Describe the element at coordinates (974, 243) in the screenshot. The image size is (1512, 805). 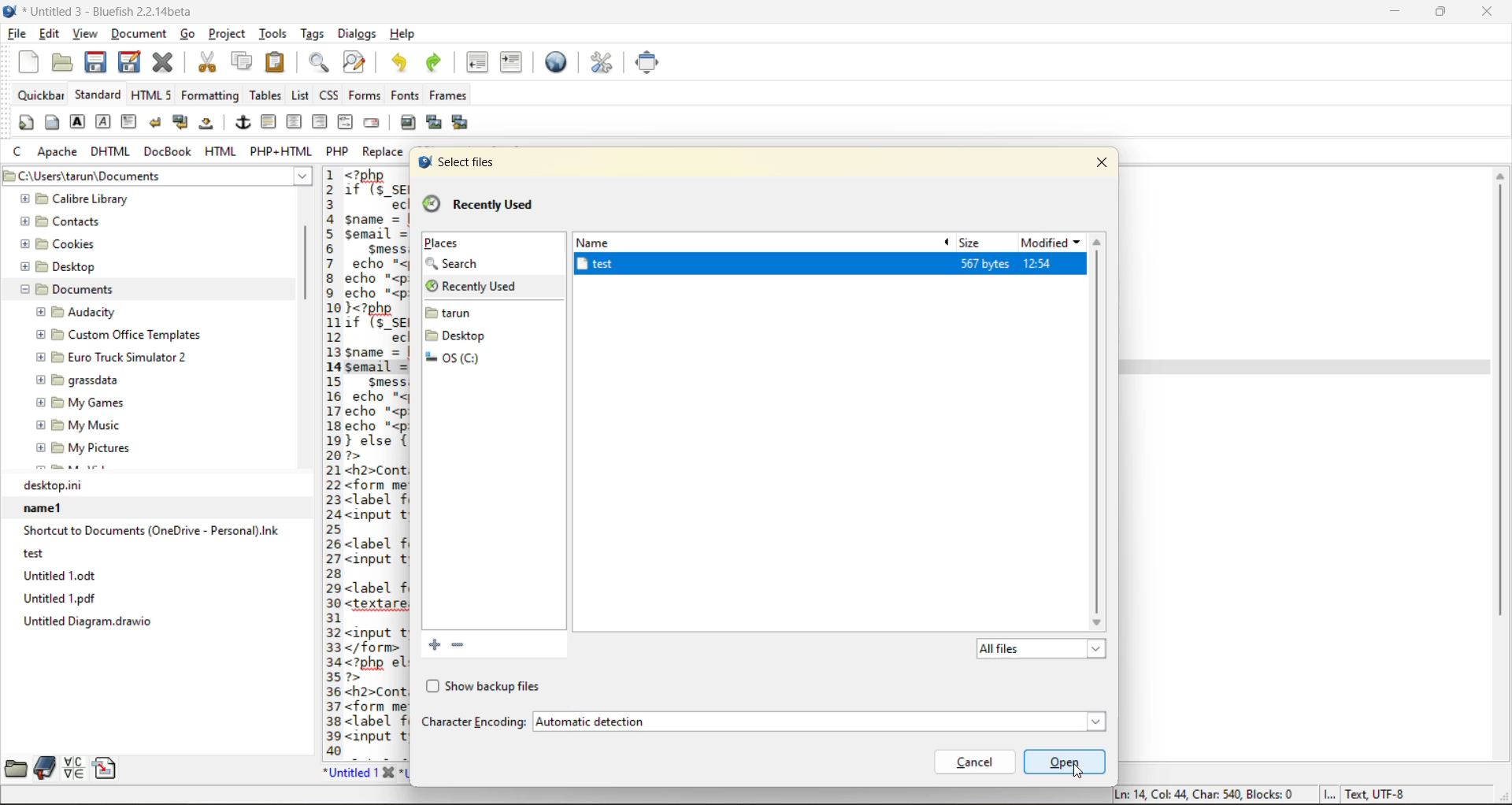
I see `size` at that location.